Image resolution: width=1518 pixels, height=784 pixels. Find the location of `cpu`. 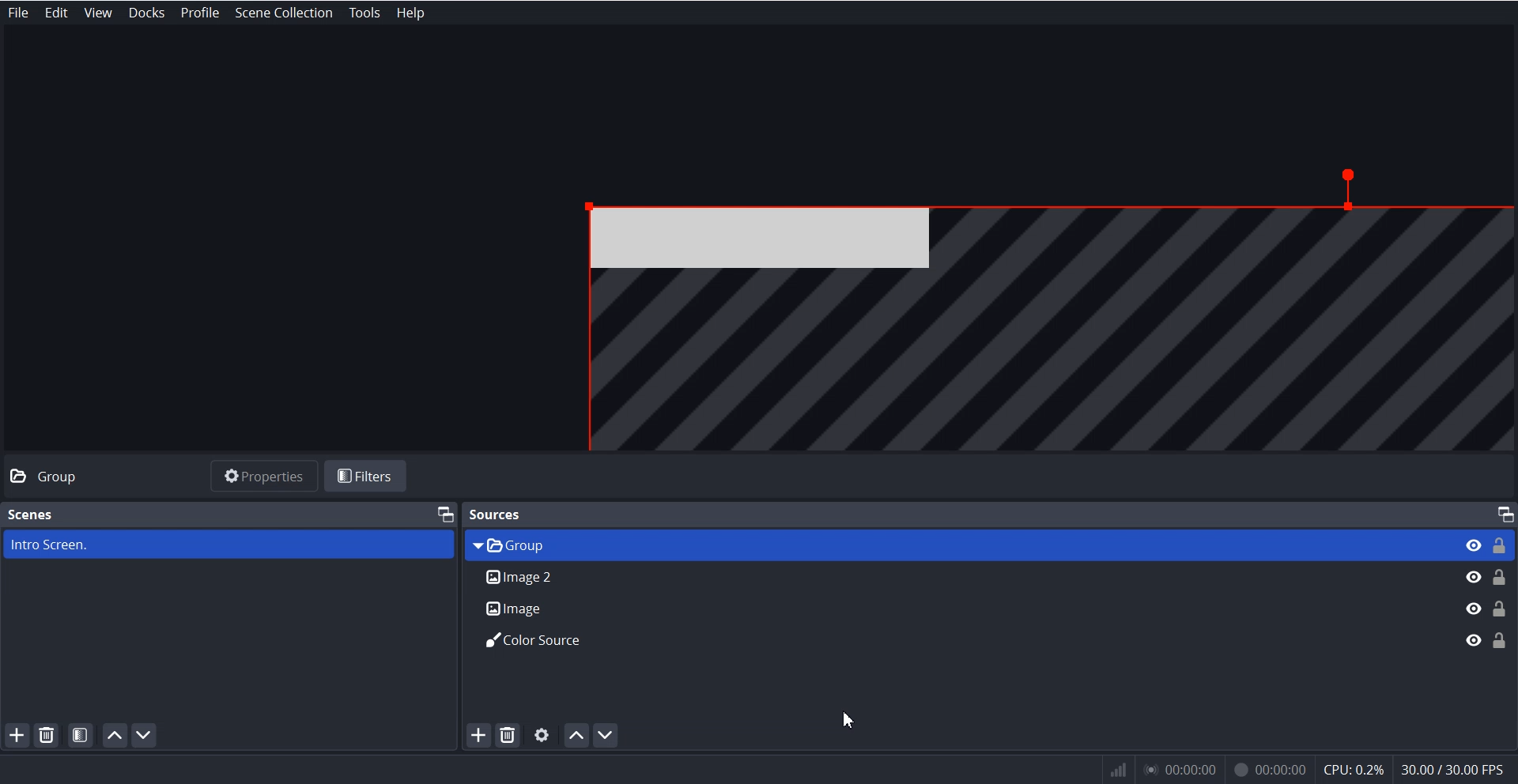

cpu is located at coordinates (1353, 767).